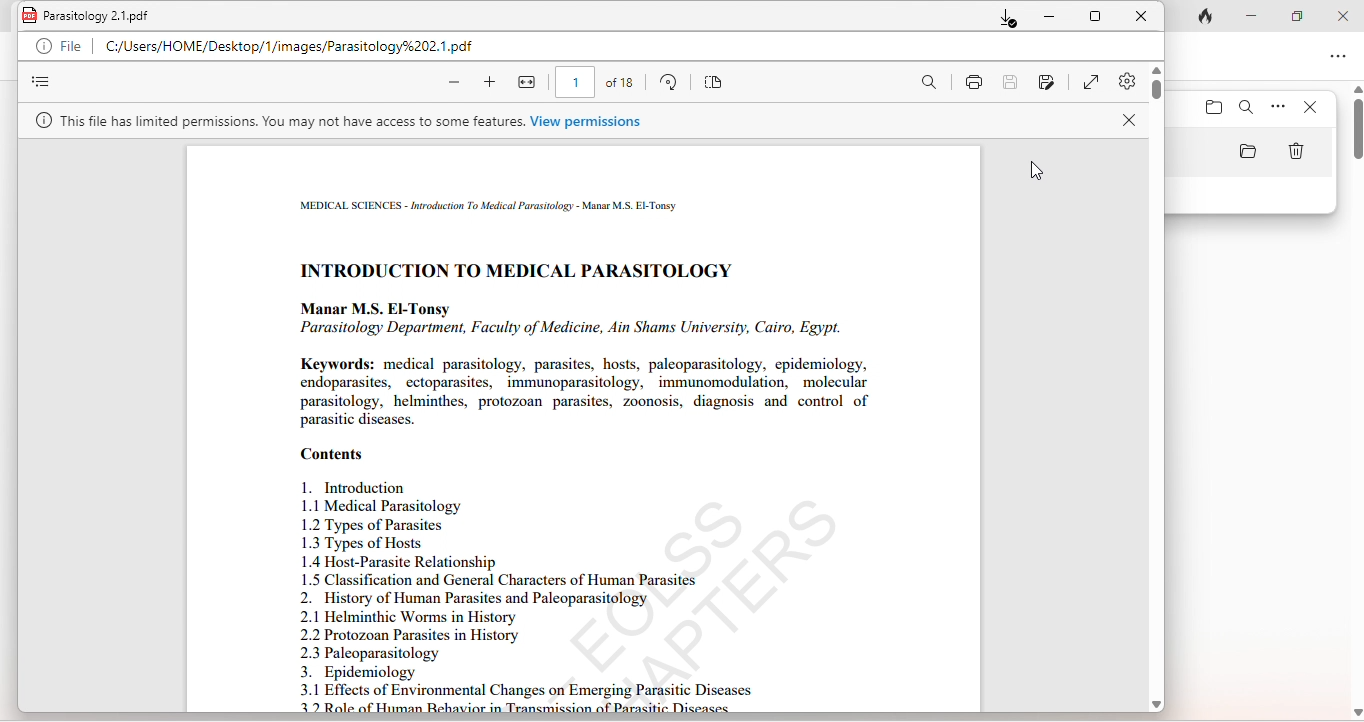  I want to click on track tab, so click(1207, 17).